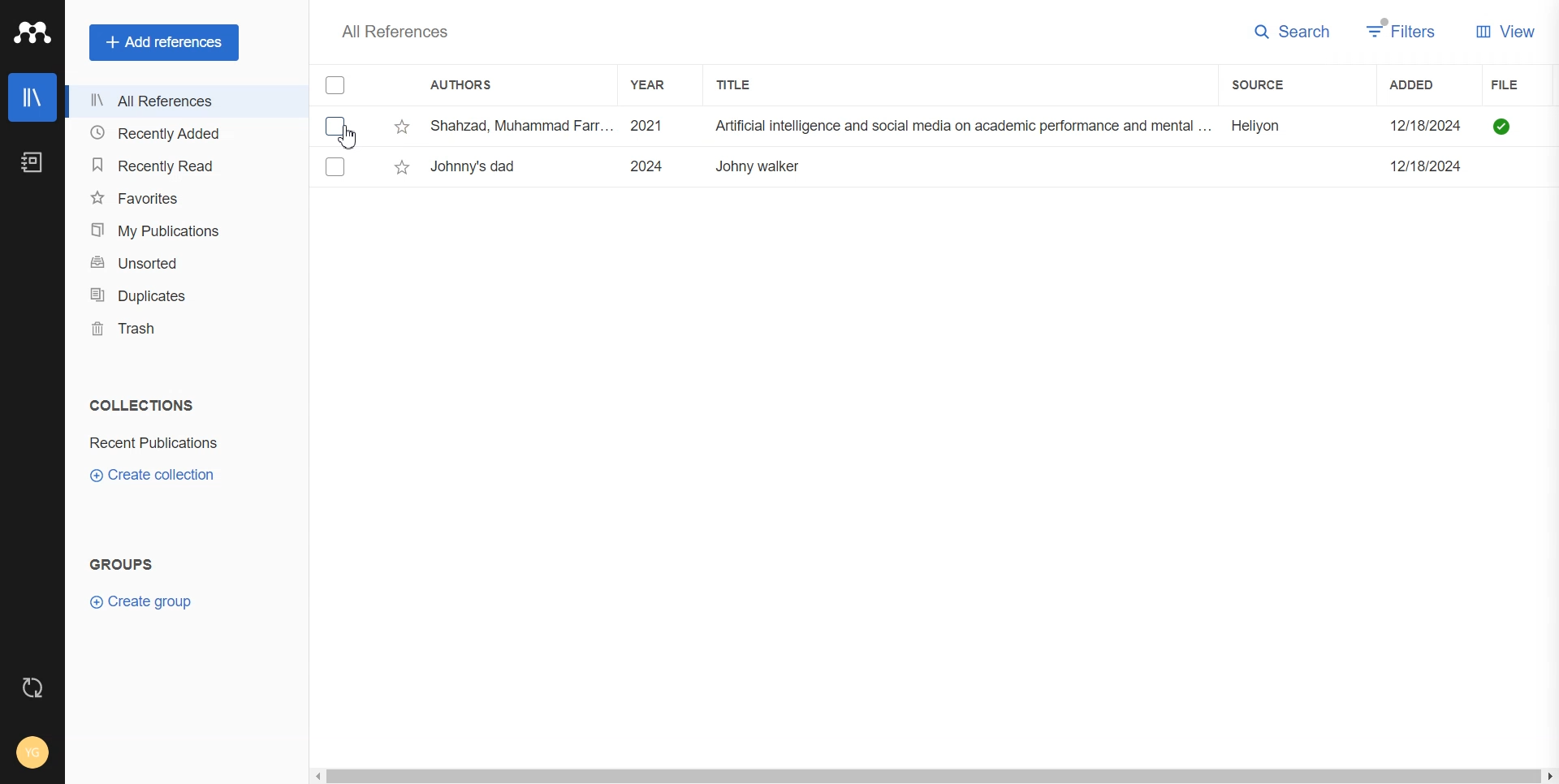  Describe the element at coordinates (933, 778) in the screenshot. I see `Horizontal scroll bar` at that location.